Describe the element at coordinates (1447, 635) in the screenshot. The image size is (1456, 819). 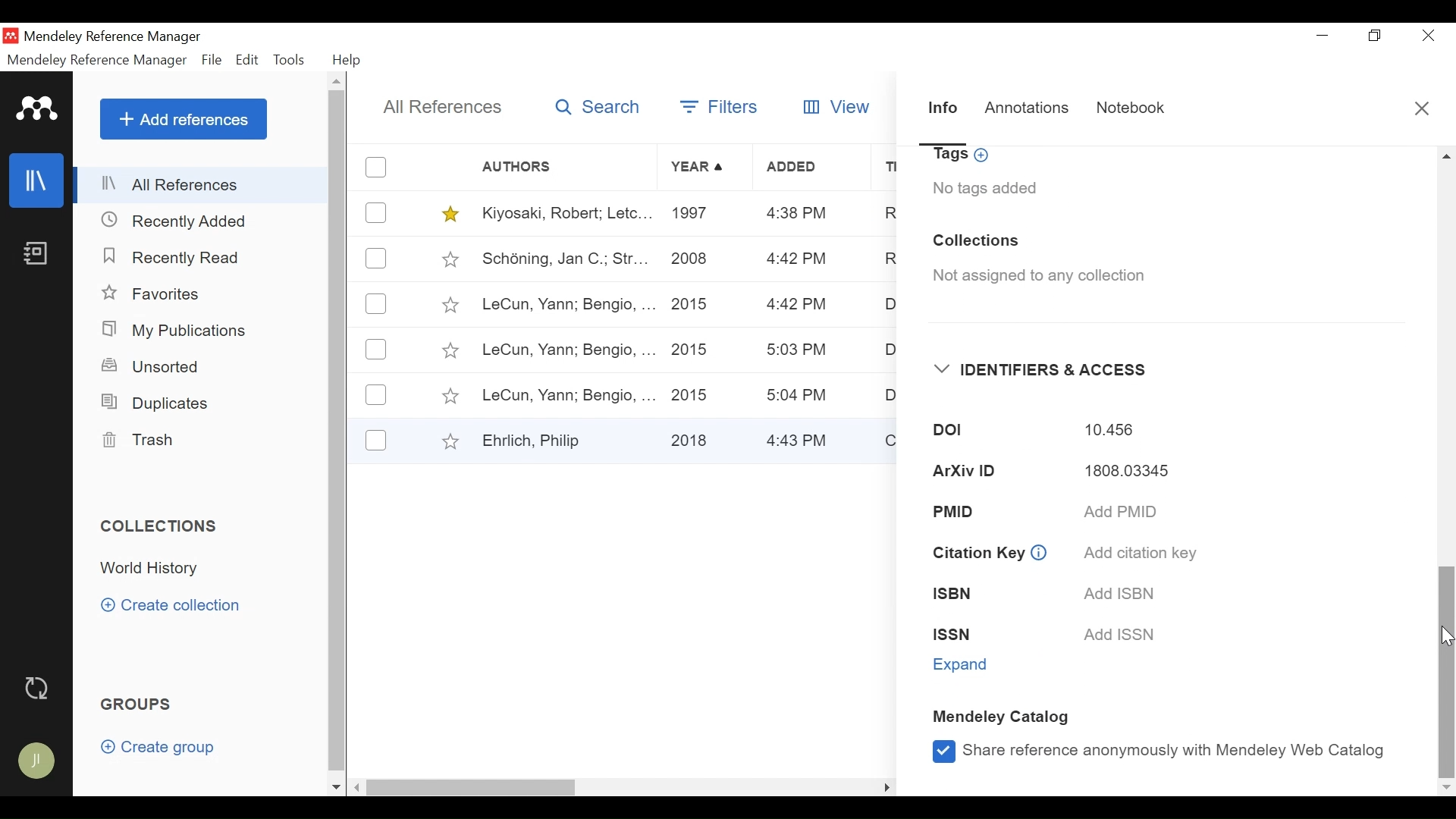
I see `Cursor` at that location.